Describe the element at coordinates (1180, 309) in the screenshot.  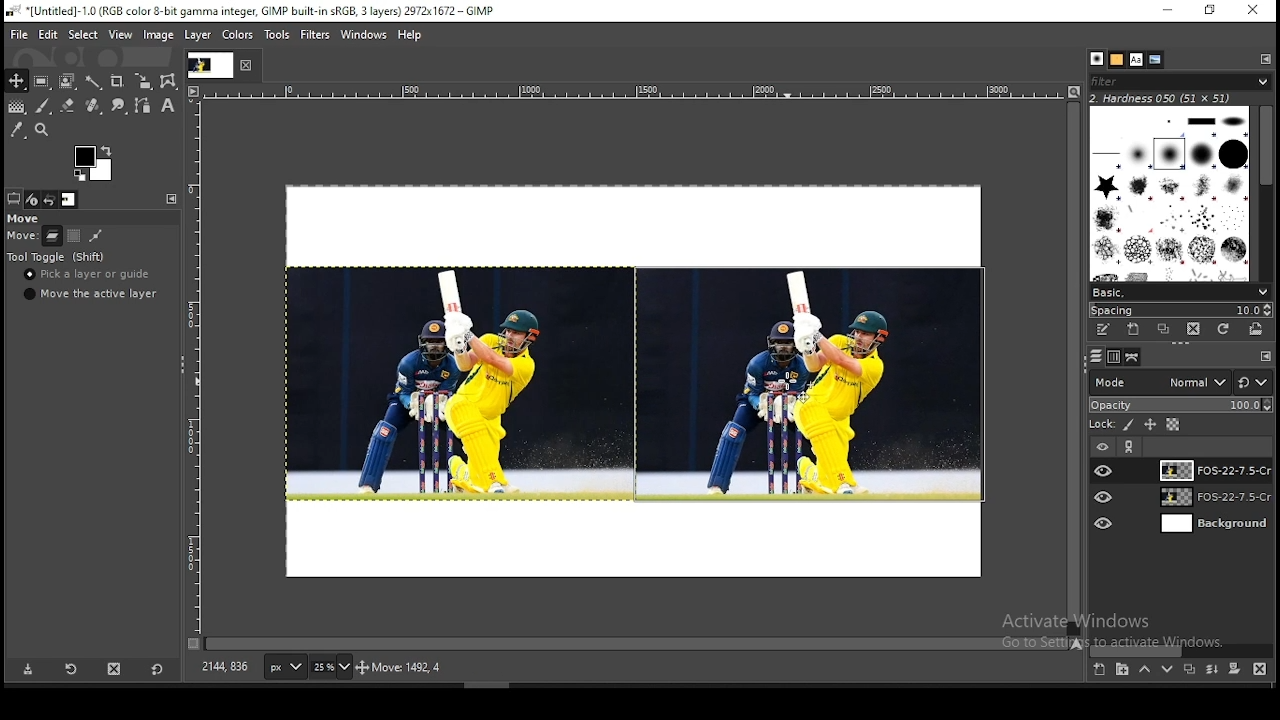
I see `spacing` at that location.